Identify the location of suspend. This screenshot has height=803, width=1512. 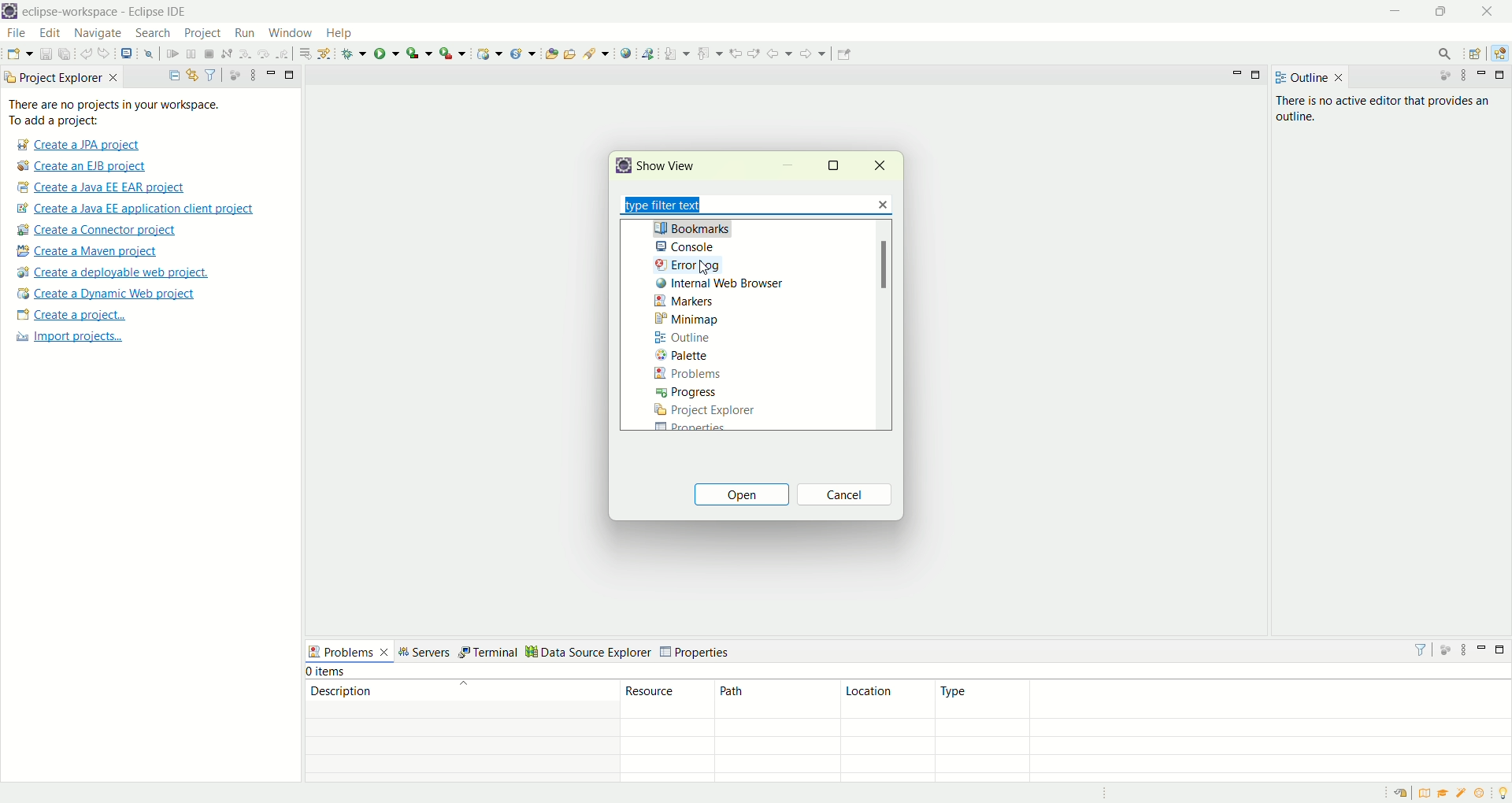
(192, 53).